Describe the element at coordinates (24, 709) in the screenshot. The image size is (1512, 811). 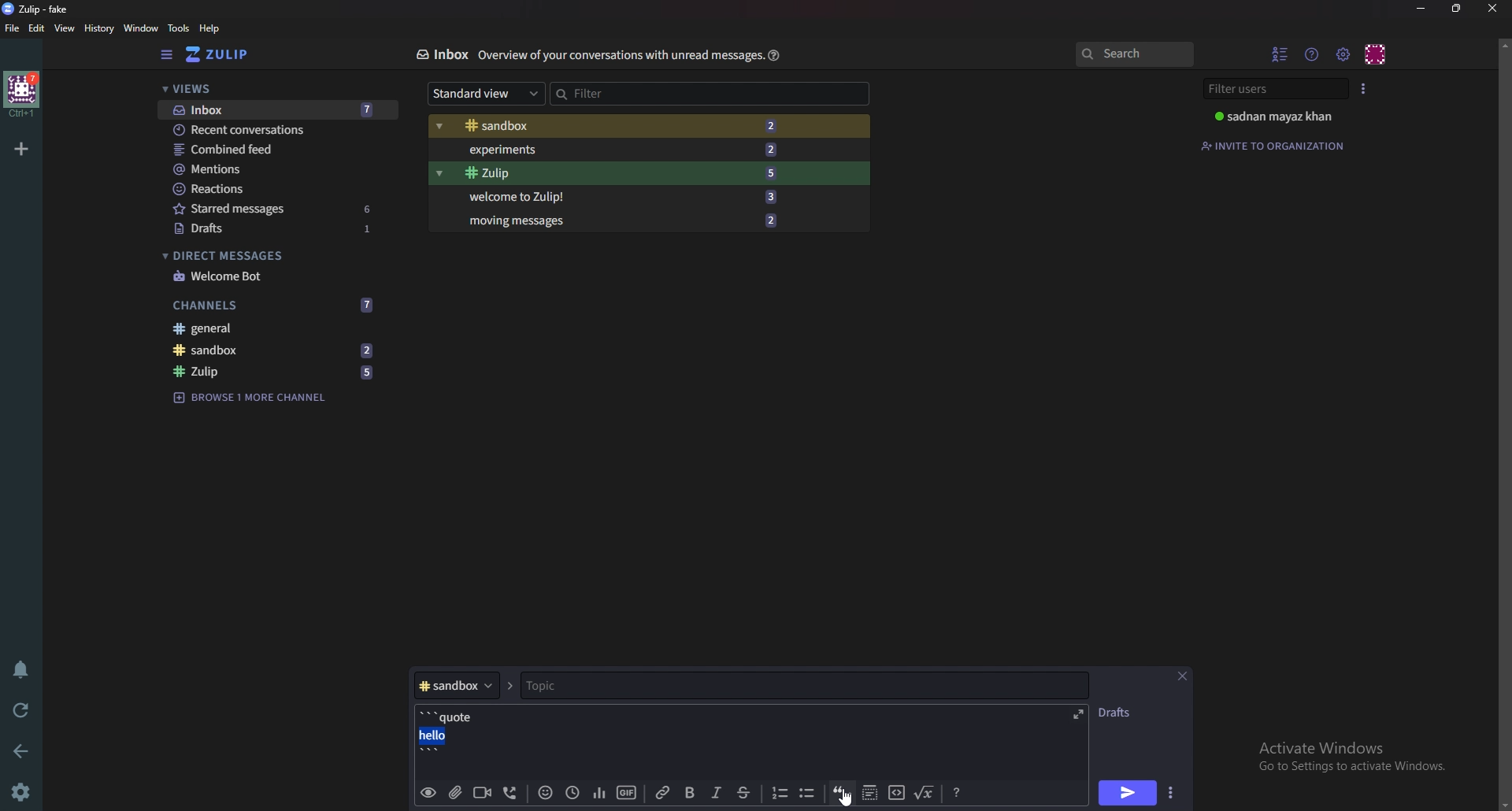
I see `Reload` at that location.